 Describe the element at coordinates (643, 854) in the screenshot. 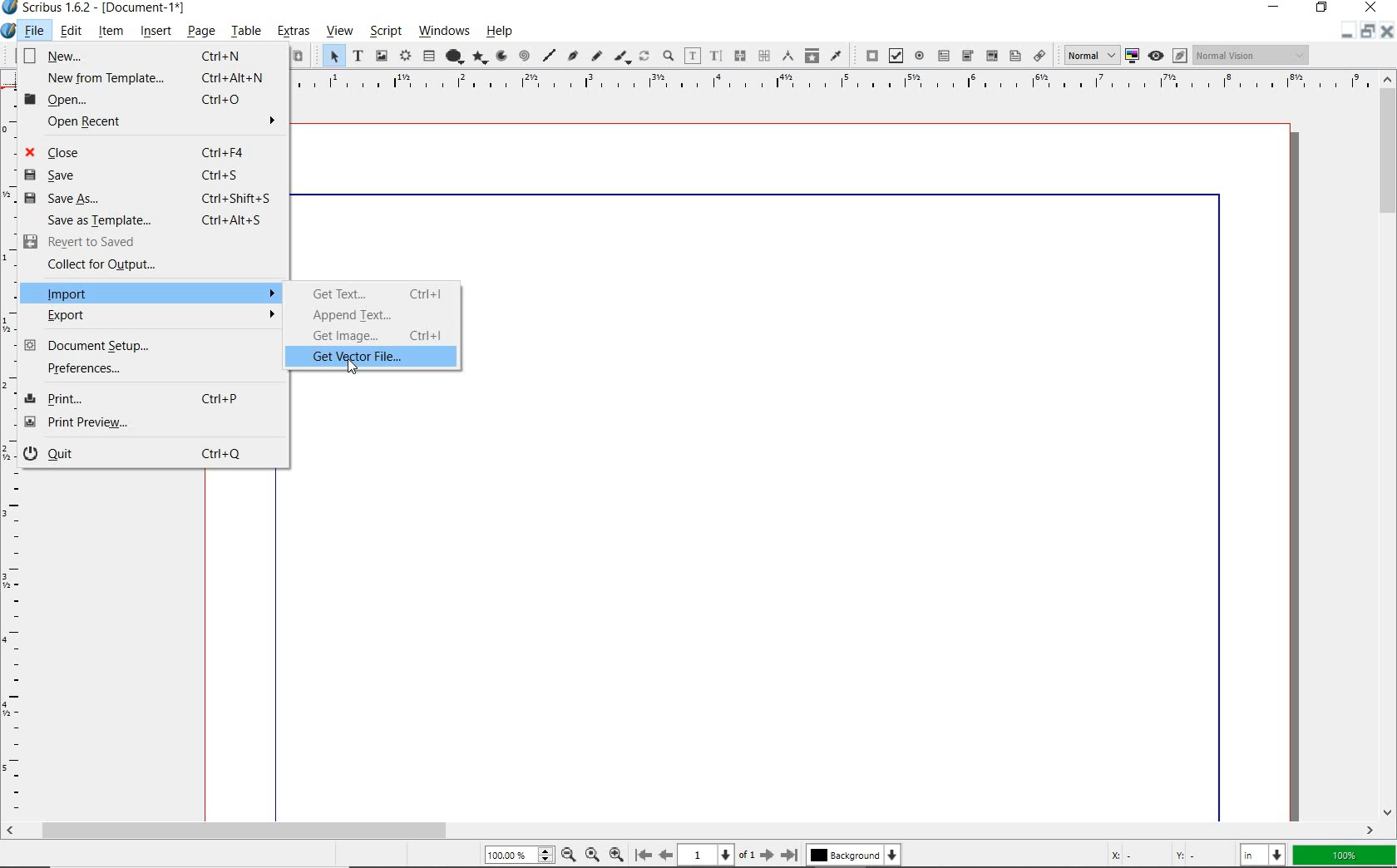

I see `First Page` at that location.